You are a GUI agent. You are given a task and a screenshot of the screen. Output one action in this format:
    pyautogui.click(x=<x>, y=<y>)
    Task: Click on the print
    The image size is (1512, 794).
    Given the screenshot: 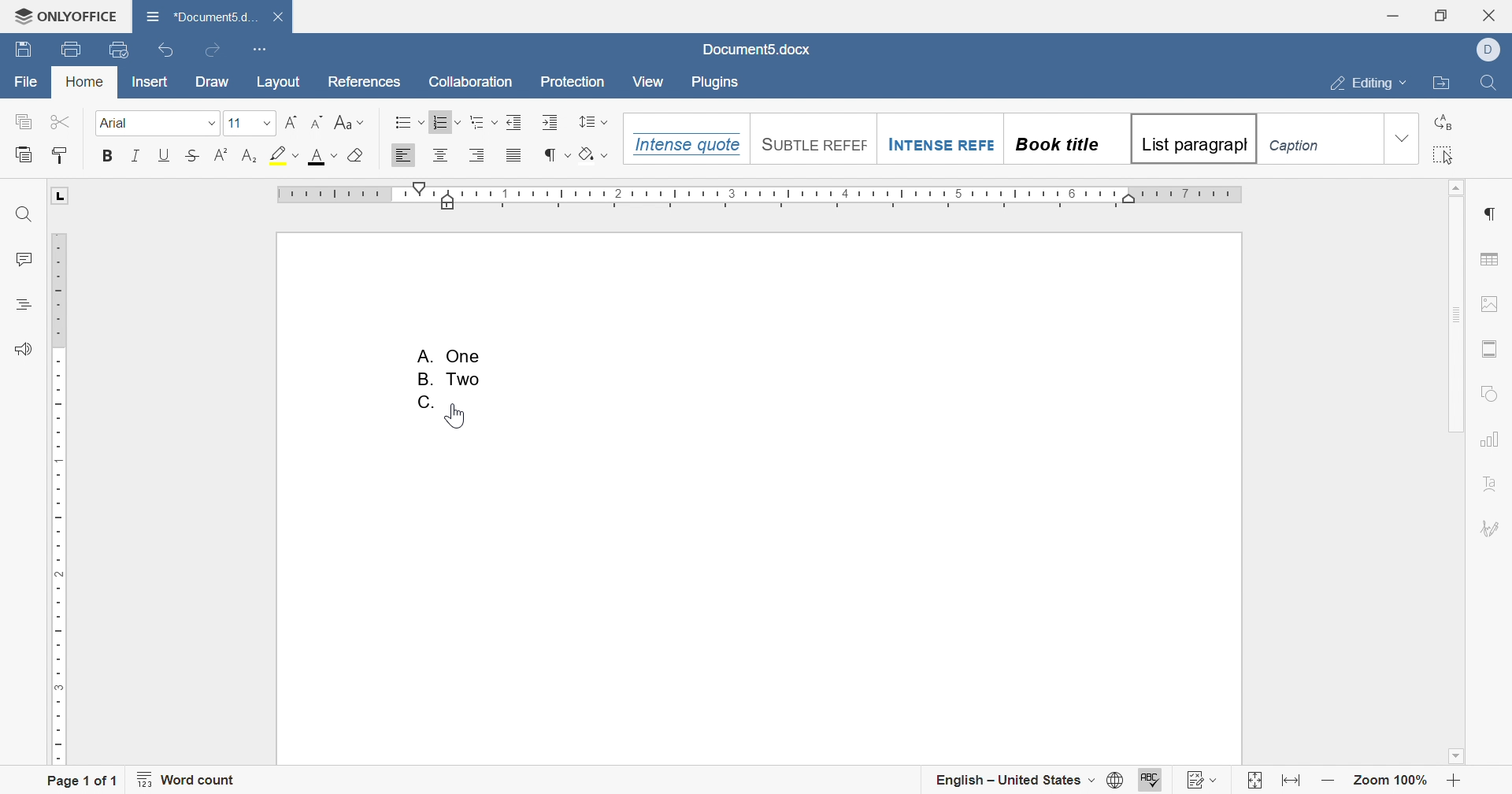 What is the action you would take?
    pyautogui.click(x=73, y=47)
    